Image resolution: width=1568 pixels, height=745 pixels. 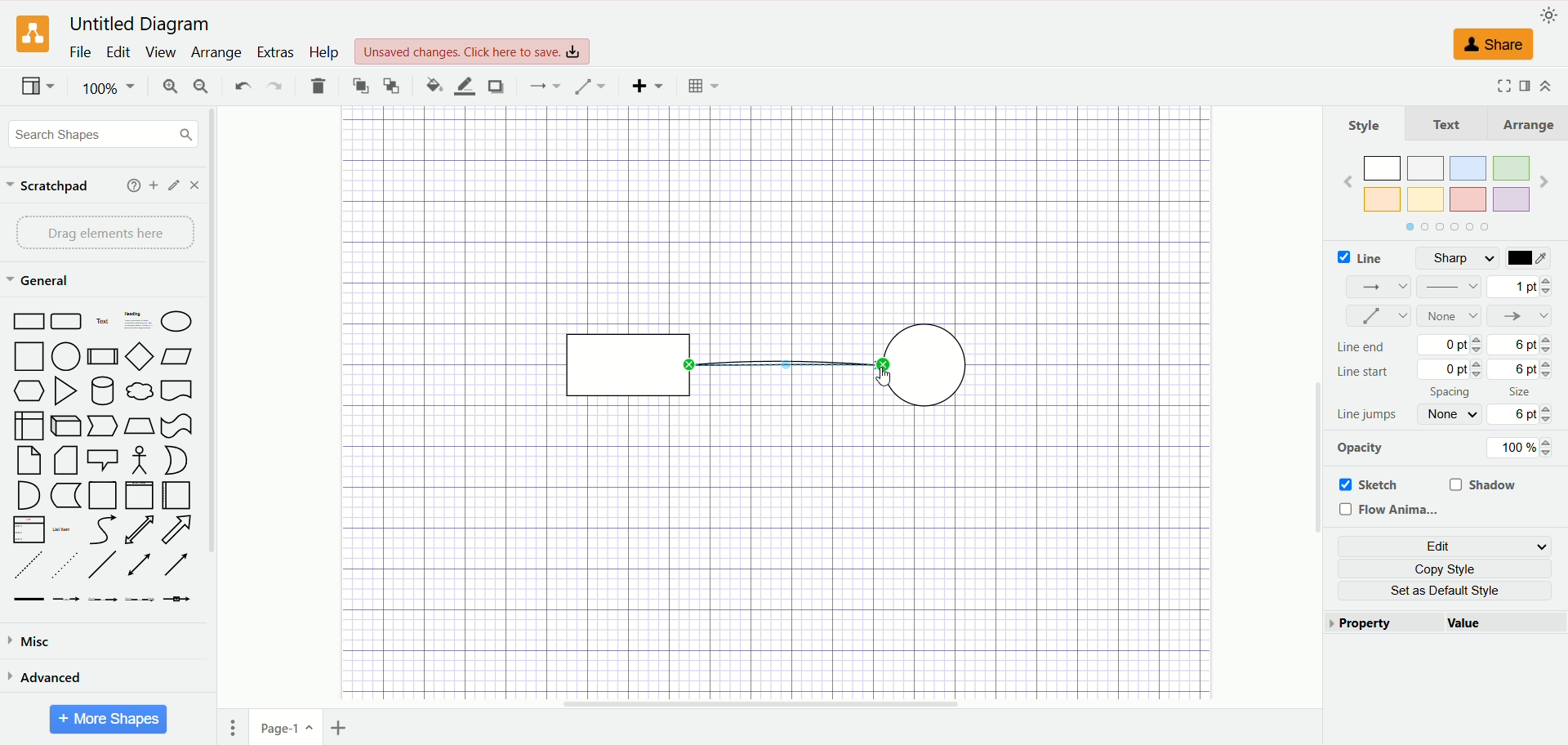 What do you see at coordinates (1527, 315) in the screenshot?
I see `line end` at bounding box center [1527, 315].